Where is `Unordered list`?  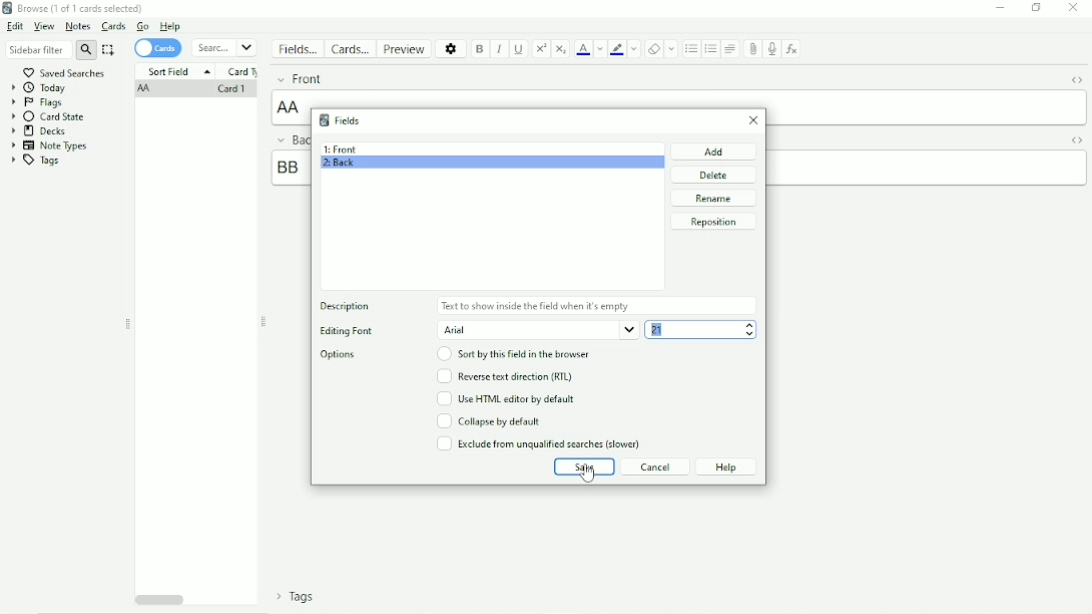
Unordered list is located at coordinates (691, 49).